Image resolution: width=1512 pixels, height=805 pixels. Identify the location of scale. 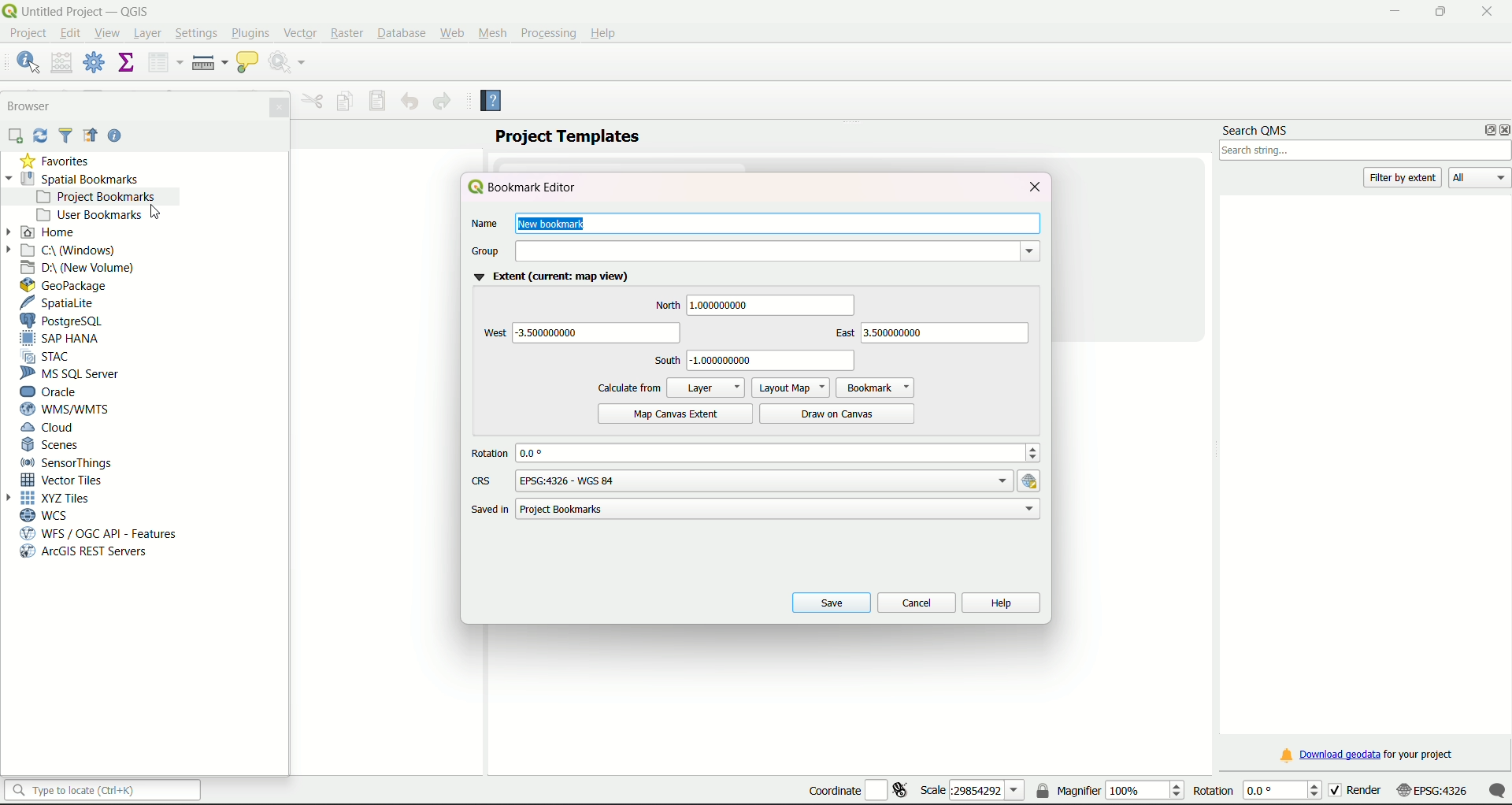
(1461, 792).